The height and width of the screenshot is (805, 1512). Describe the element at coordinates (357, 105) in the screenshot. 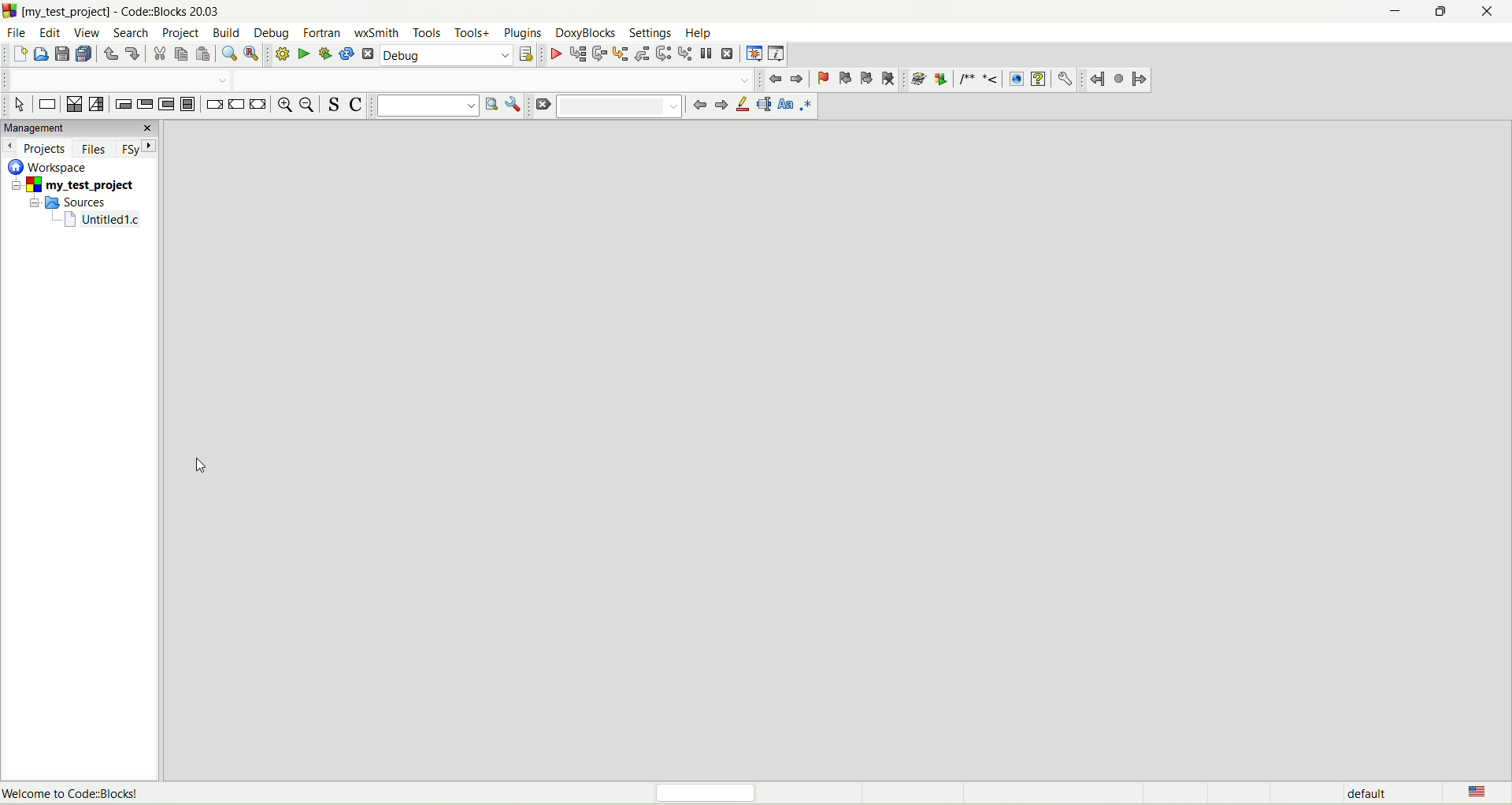

I see `toggle comment` at that location.